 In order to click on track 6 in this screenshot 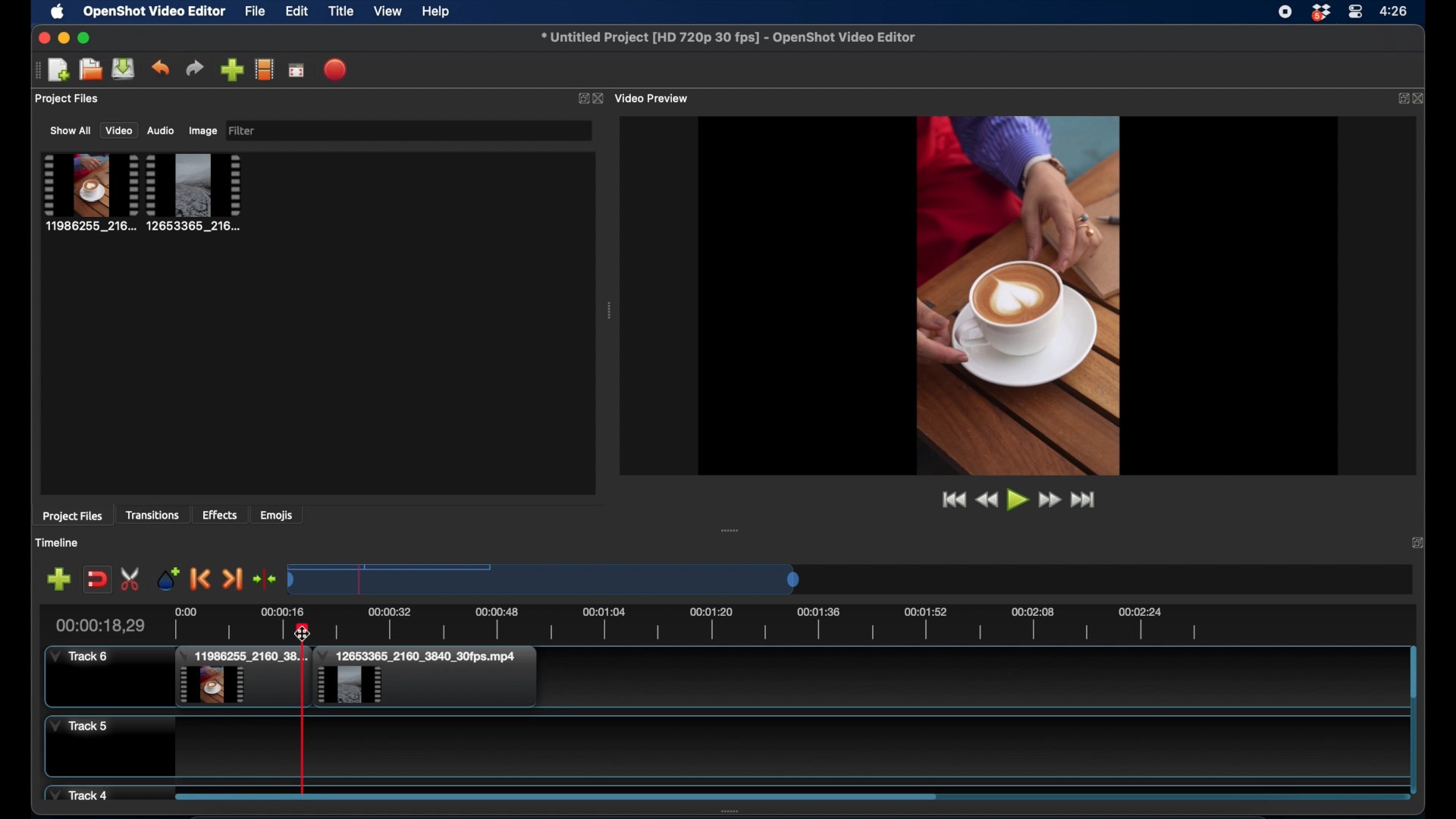, I will do `click(80, 657)`.